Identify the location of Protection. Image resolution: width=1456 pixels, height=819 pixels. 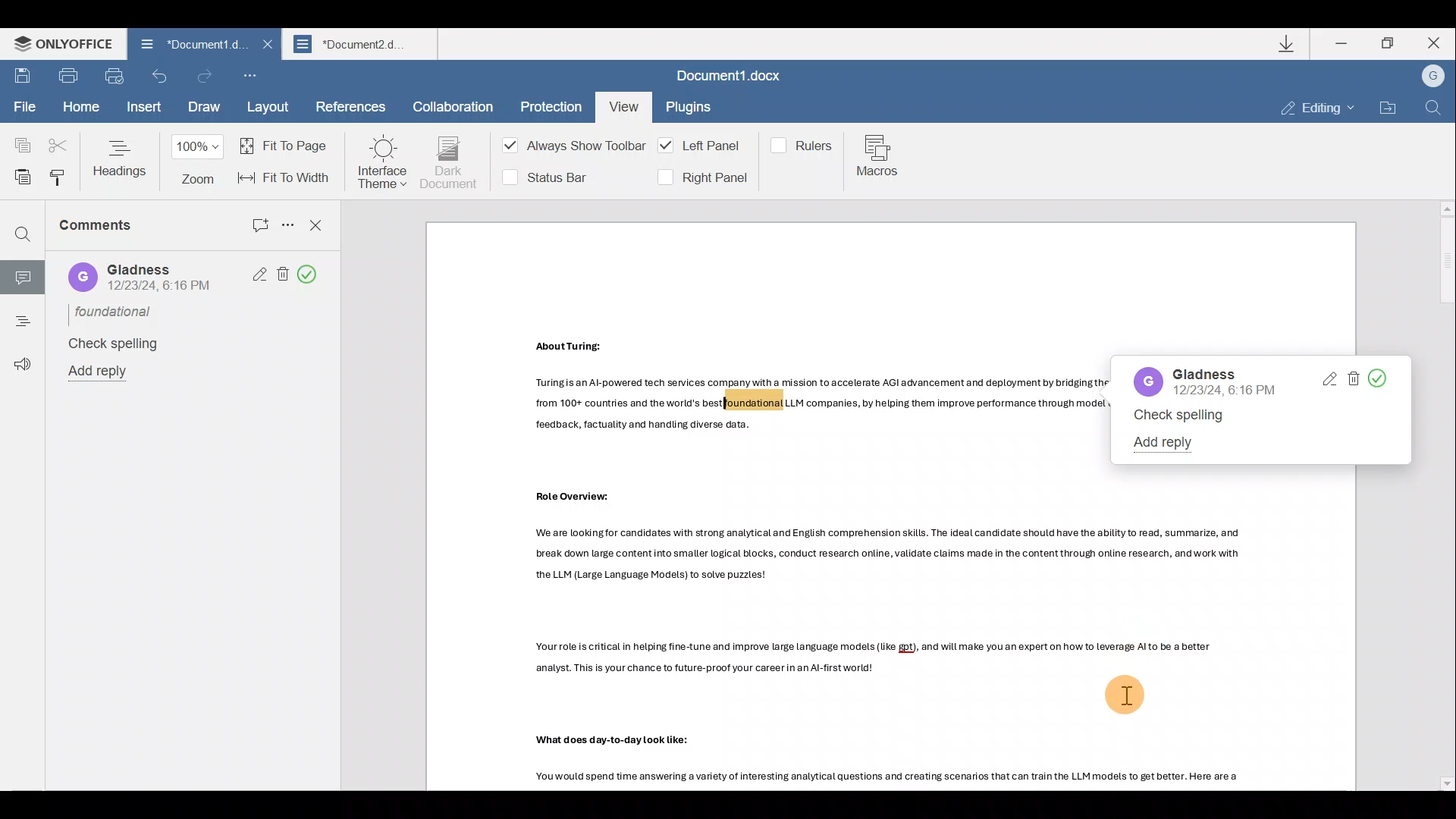
(547, 104).